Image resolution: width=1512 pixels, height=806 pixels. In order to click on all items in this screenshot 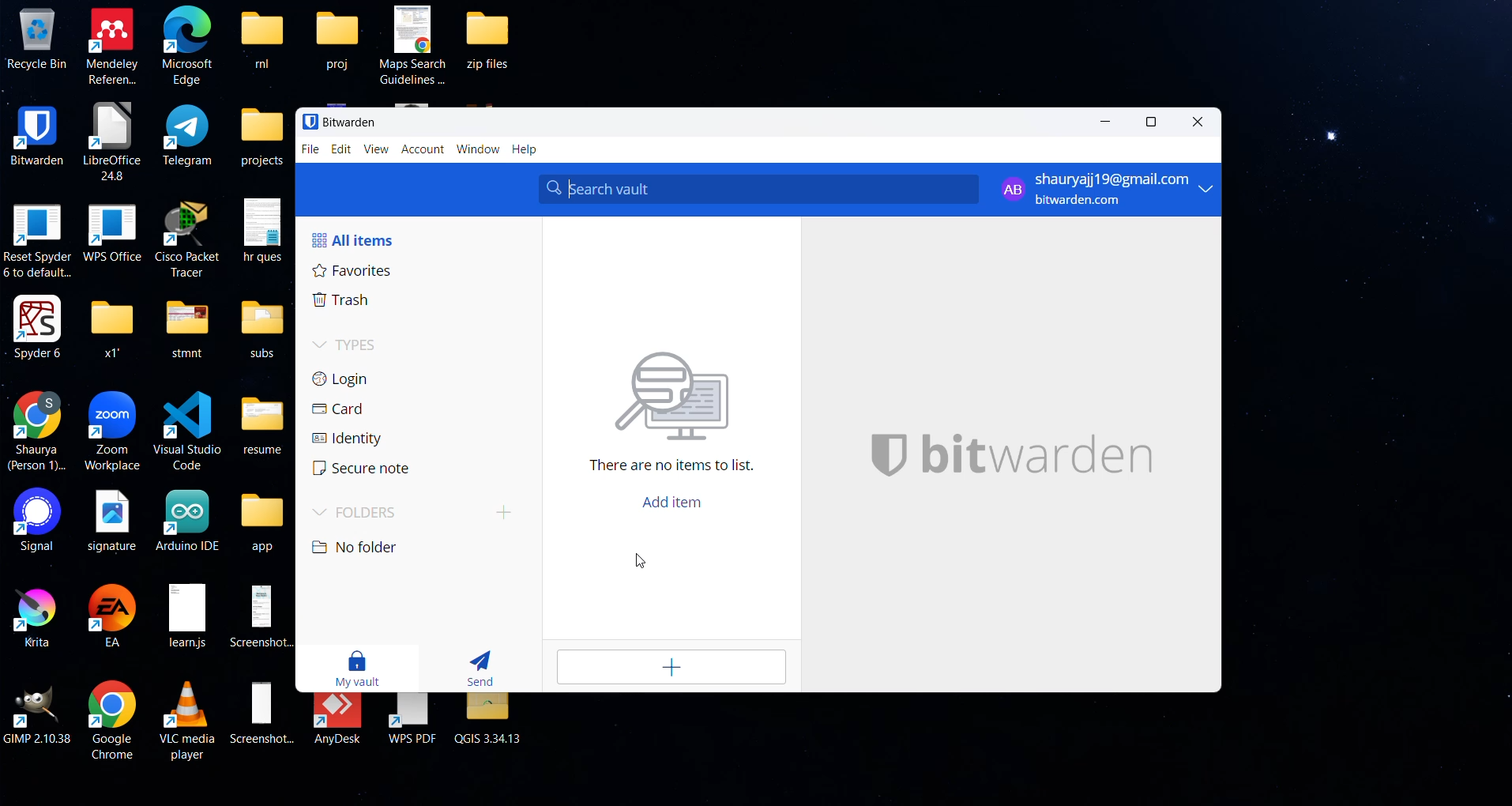, I will do `click(393, 239)`.